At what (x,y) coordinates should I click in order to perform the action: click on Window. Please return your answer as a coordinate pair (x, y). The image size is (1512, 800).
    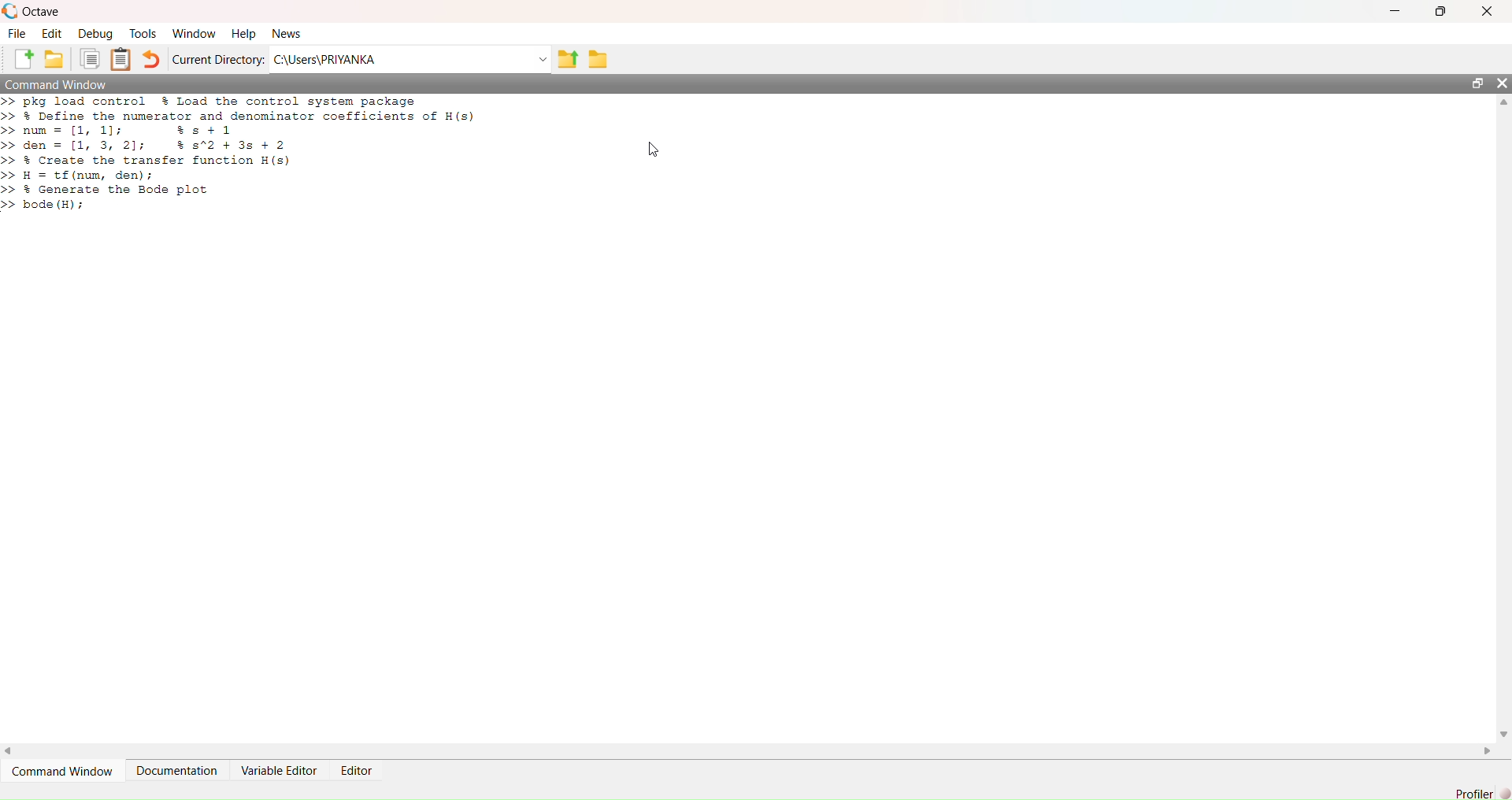
    Looking at the image, I should click on (193, 33).